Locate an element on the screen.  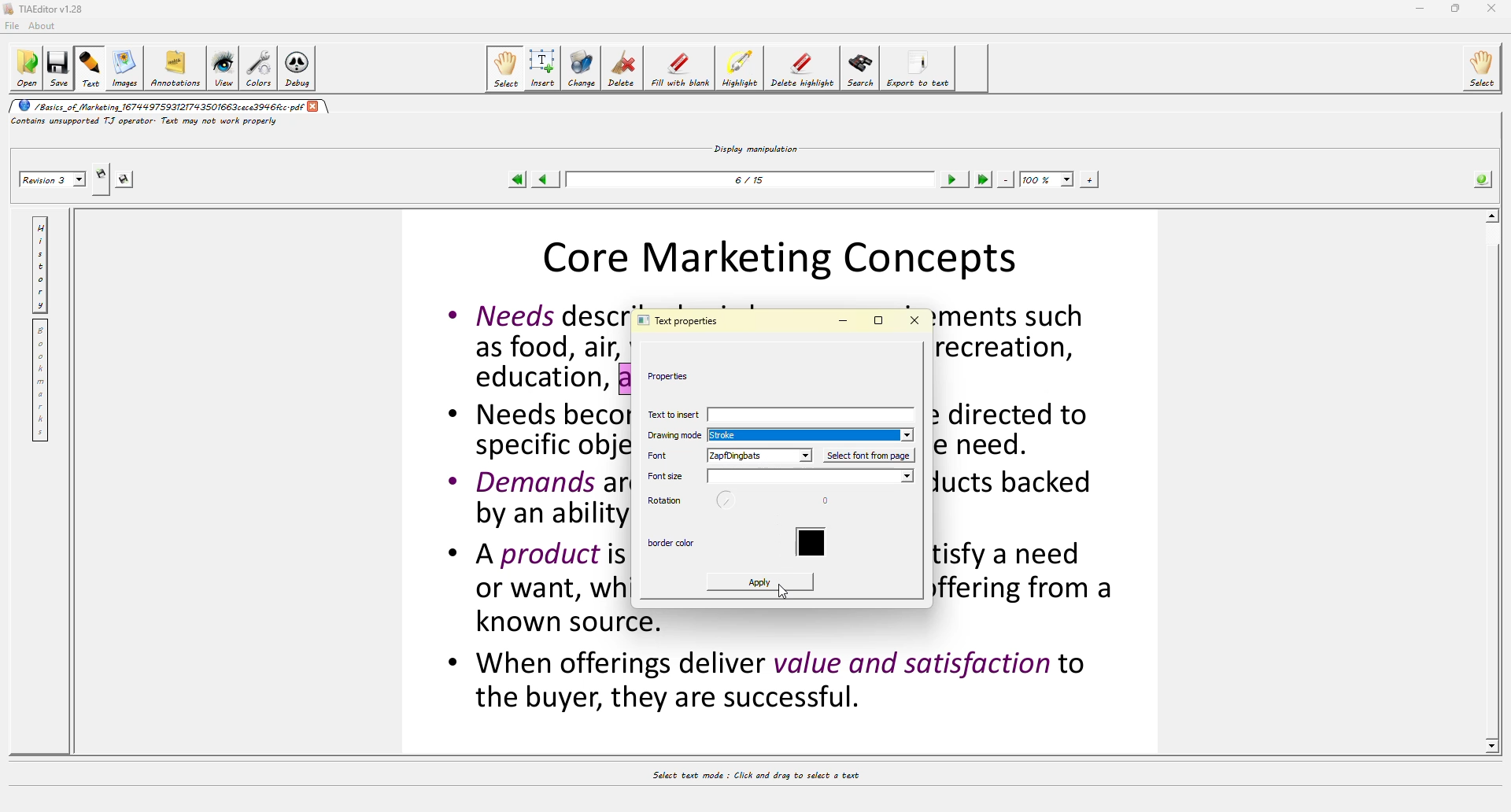
select font from page is located at coordinates (866, 456).